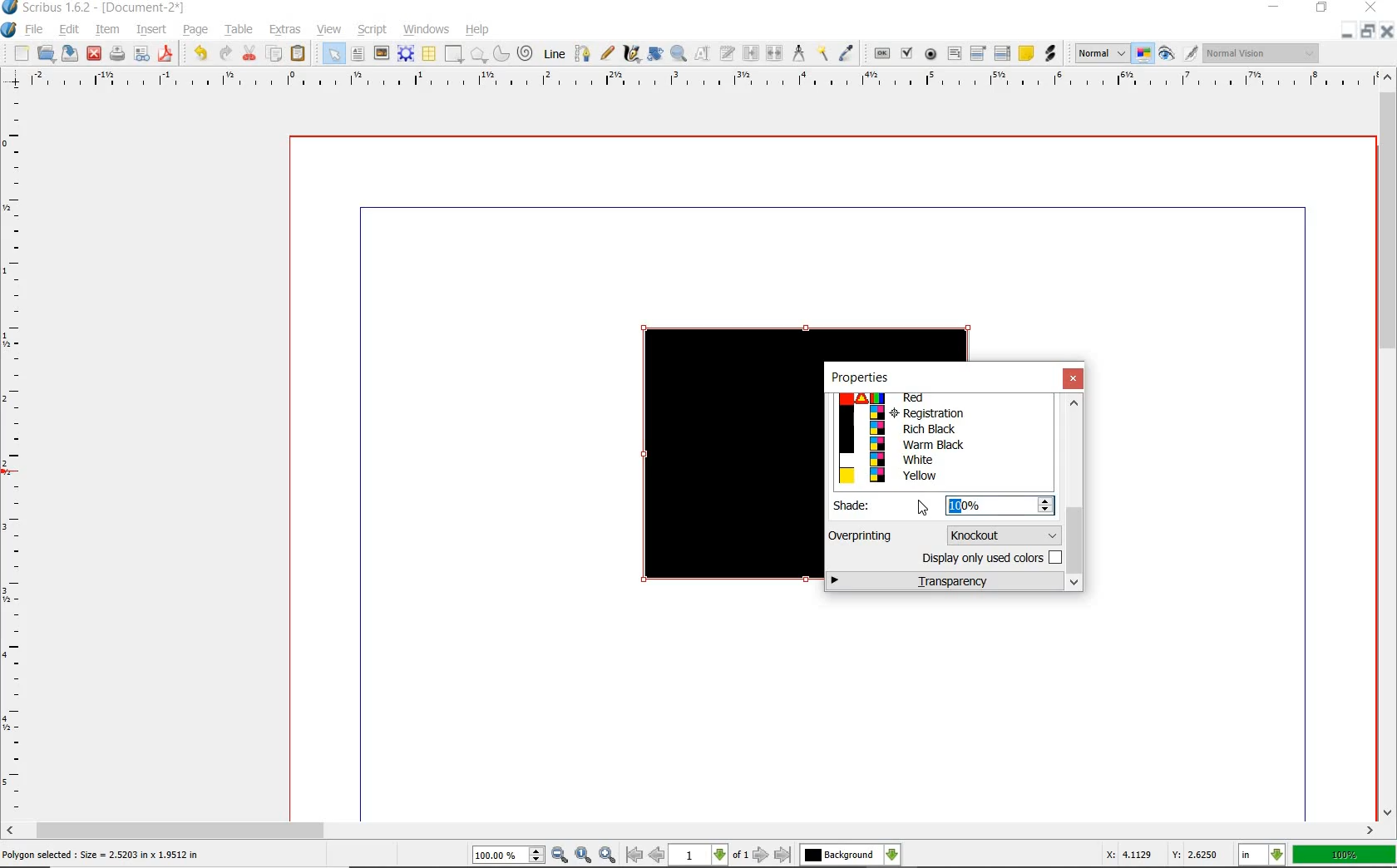  Describe the element at coordinates (1263, 856) in the screenshot. I see `select the current unit` at that location.